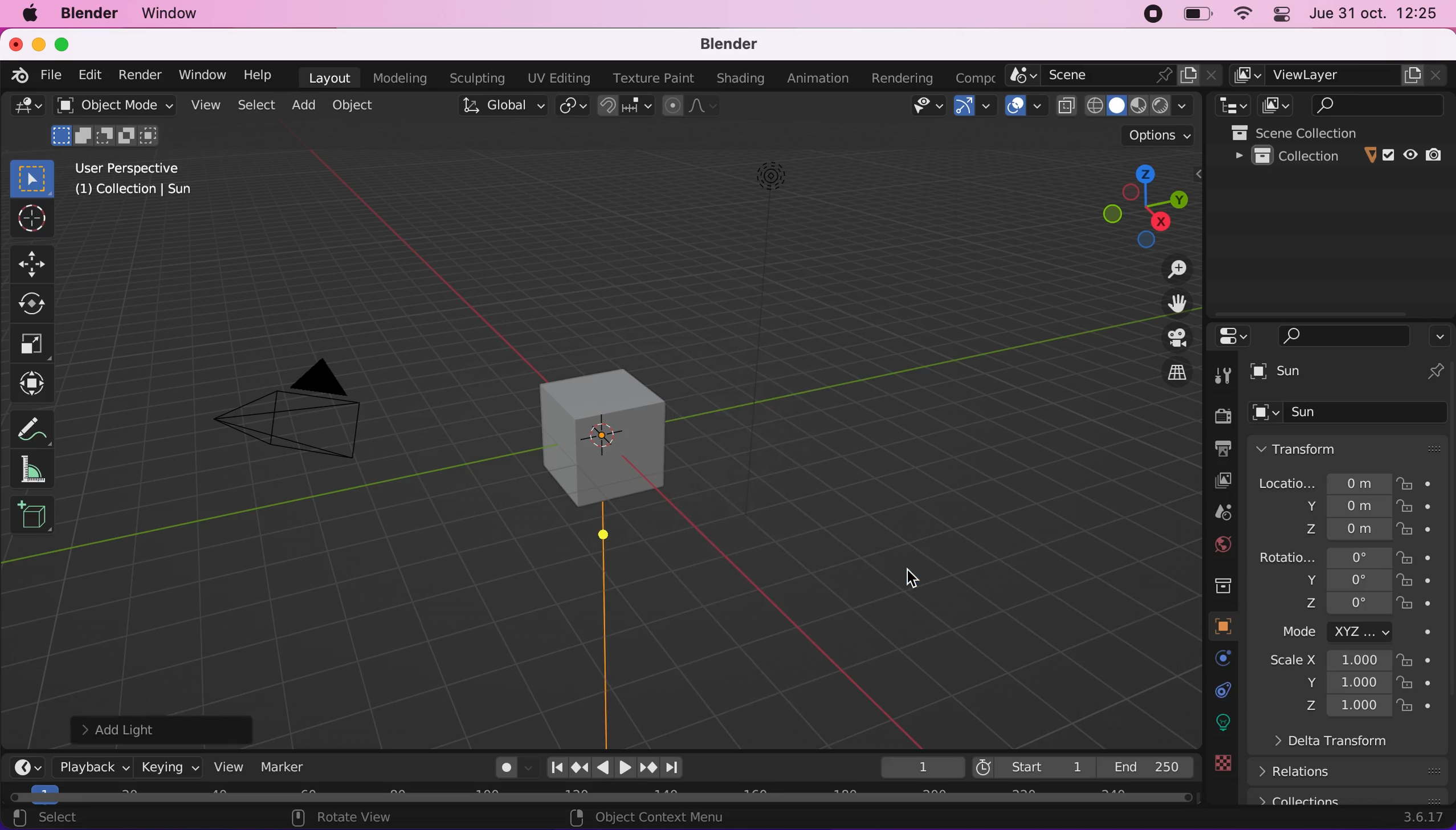 The height and width of the screenshot is (830, 1456). Describe the element at coordinates (814, 78) in the screenshot. I see `animation` at that location.